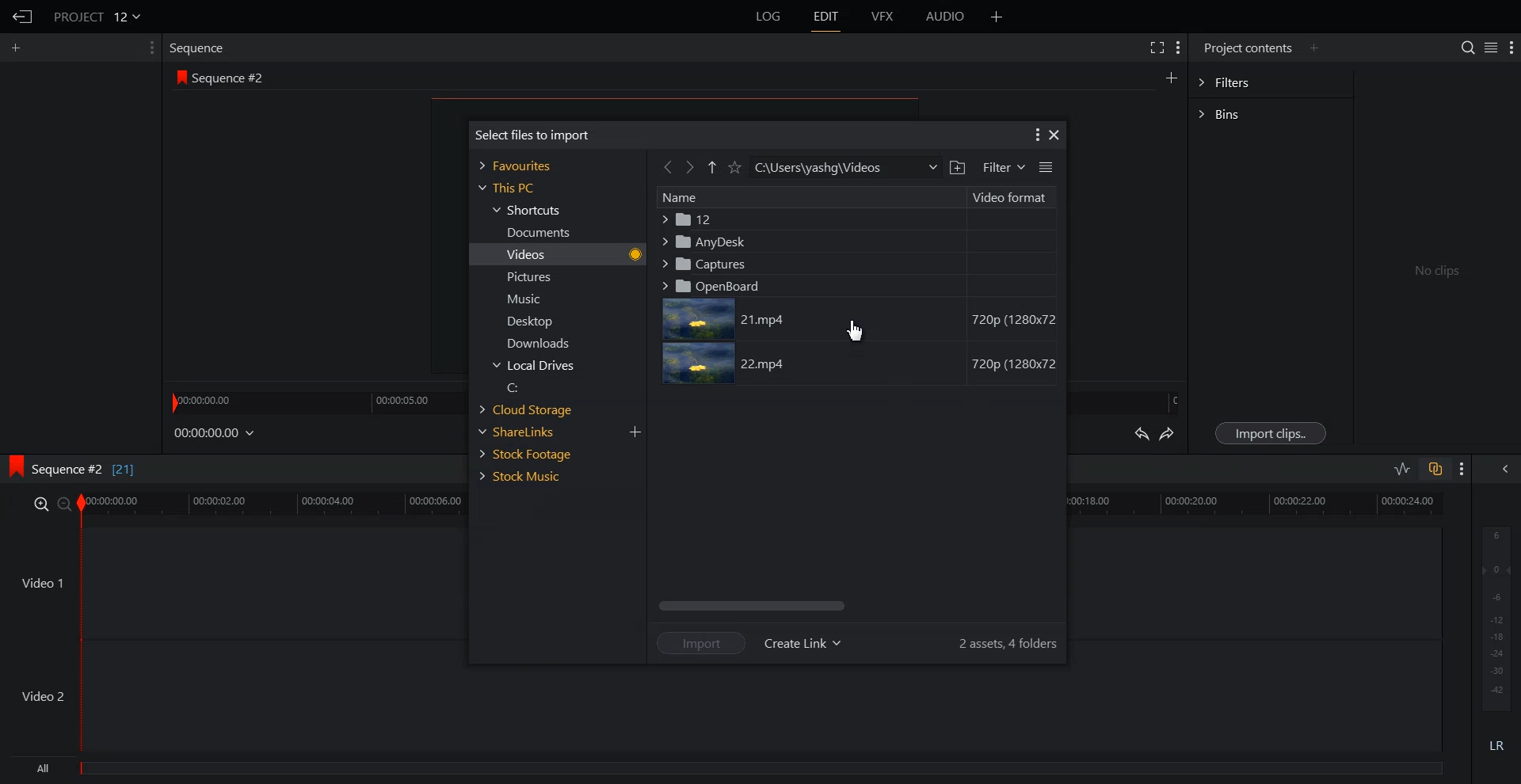 The image size is (1521, 784). What do you see at coordinates (1245, 48) in the screenshot?
I see `Project contents` at bounding box center [1245, 48].